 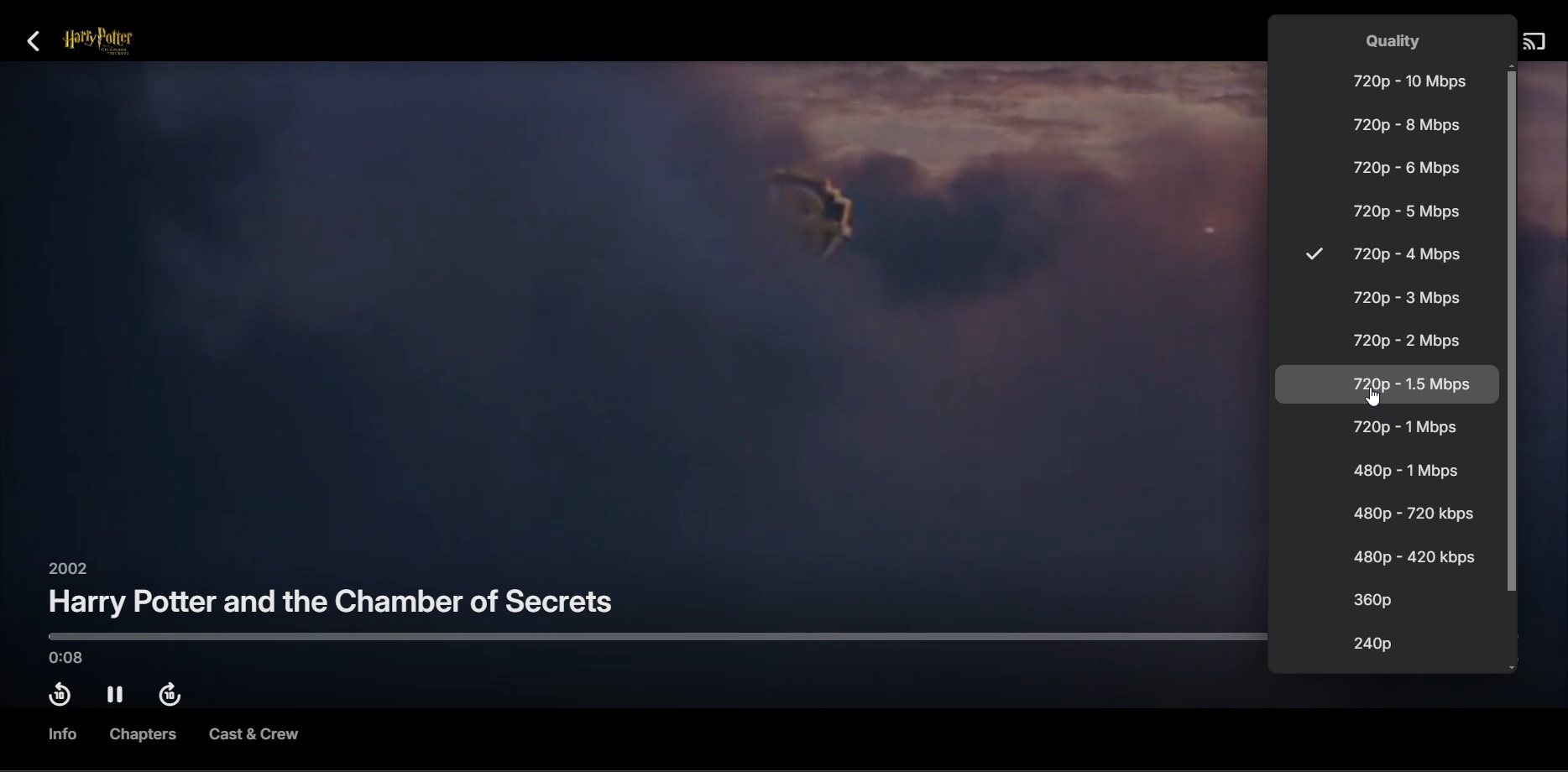 I want to click on 360p, so click(x=1372, y=599).